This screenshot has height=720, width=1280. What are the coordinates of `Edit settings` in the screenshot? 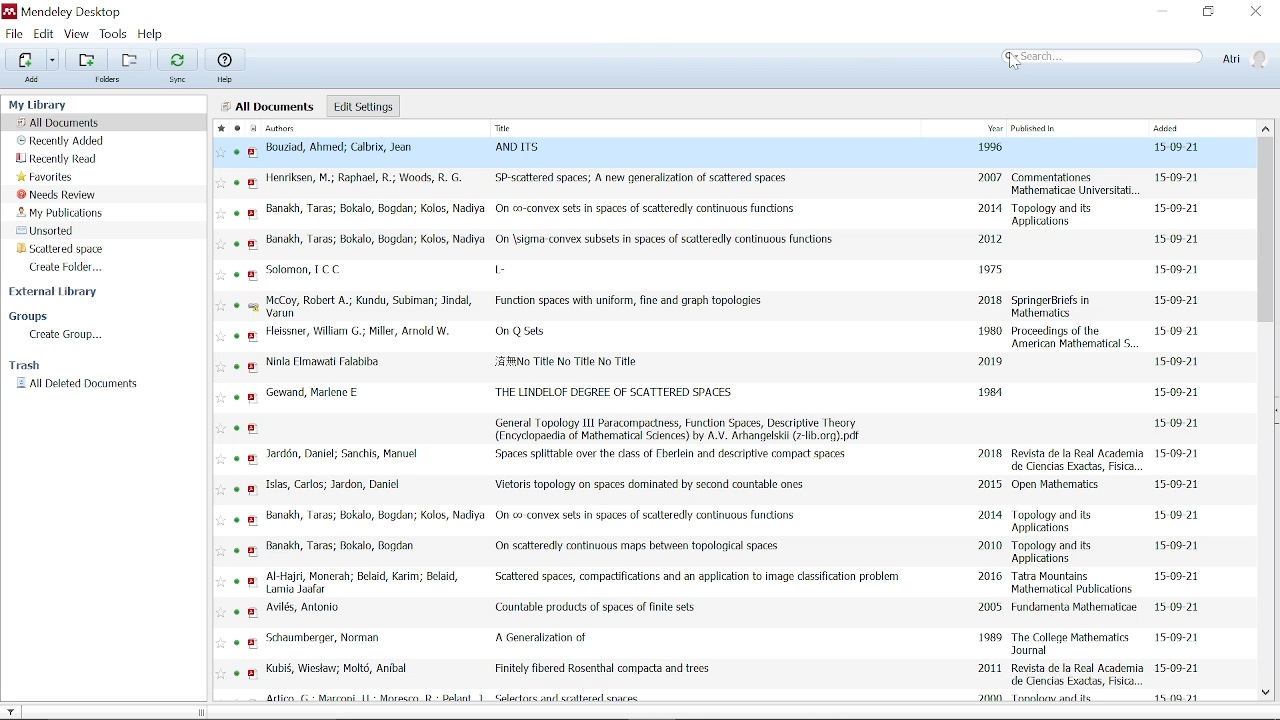 It's located at (362, 106).